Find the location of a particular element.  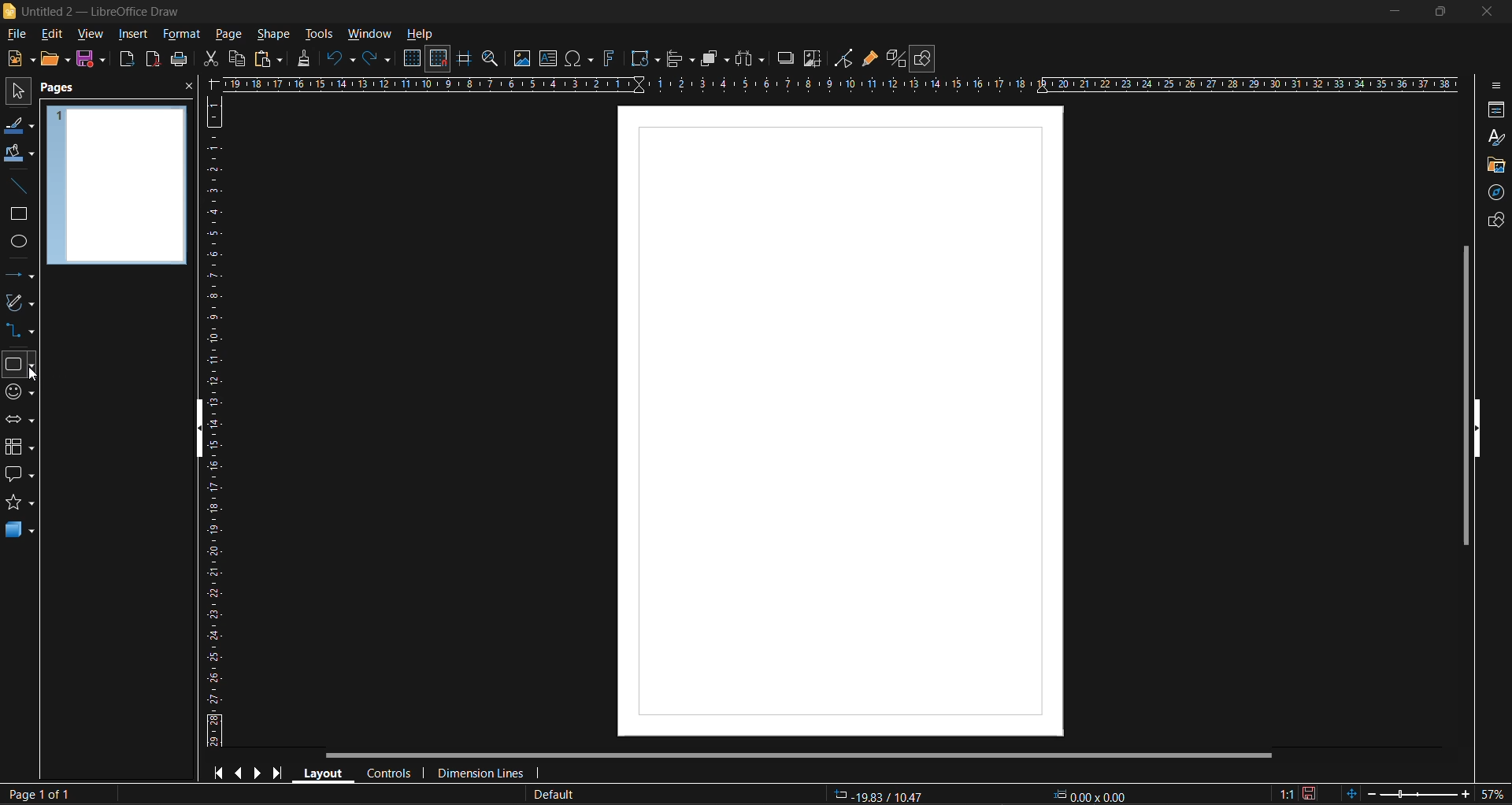

show gluepoint functions is located at coordinates (869, 59).